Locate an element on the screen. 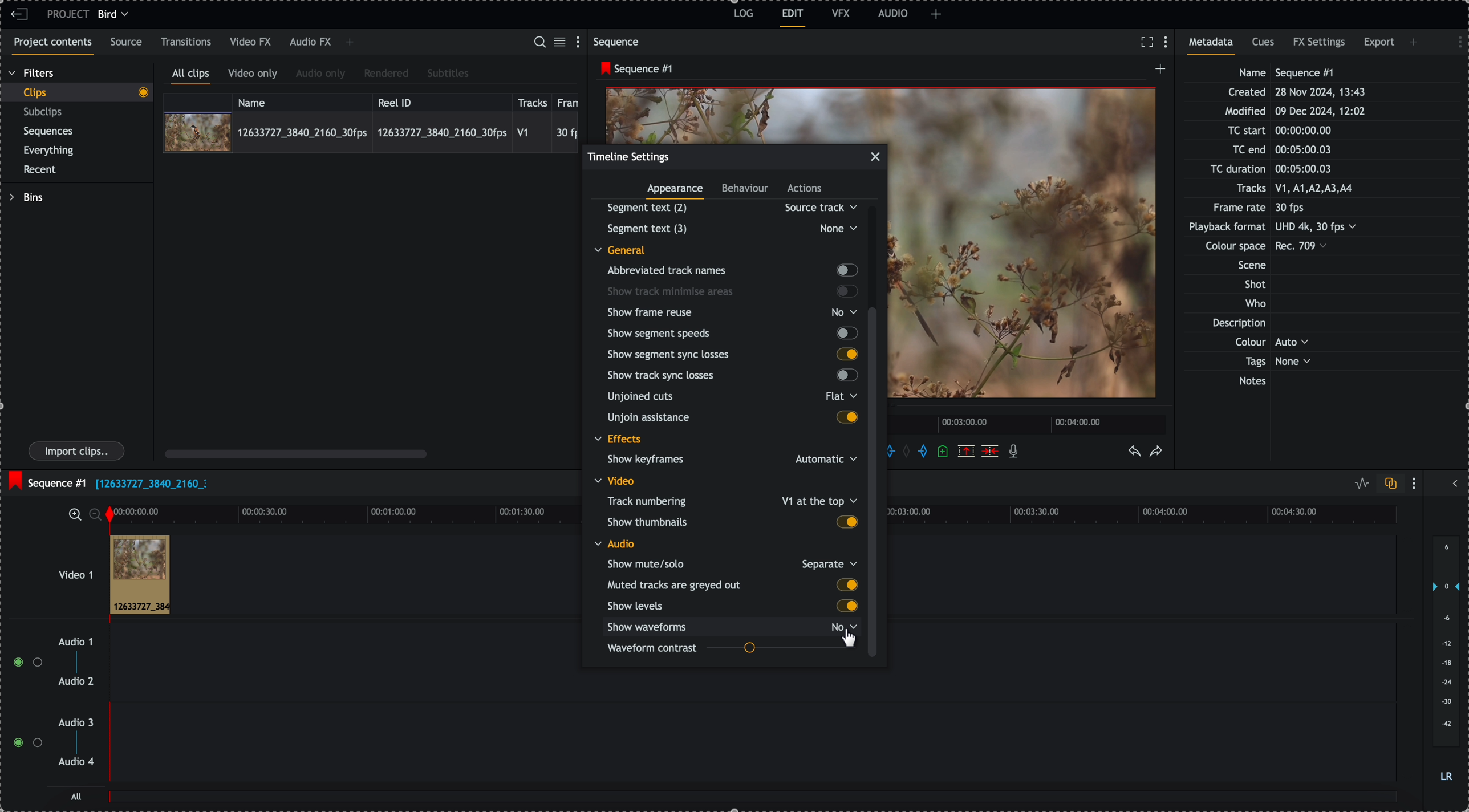  create a new sequence is located at coordinates (1158, 72).